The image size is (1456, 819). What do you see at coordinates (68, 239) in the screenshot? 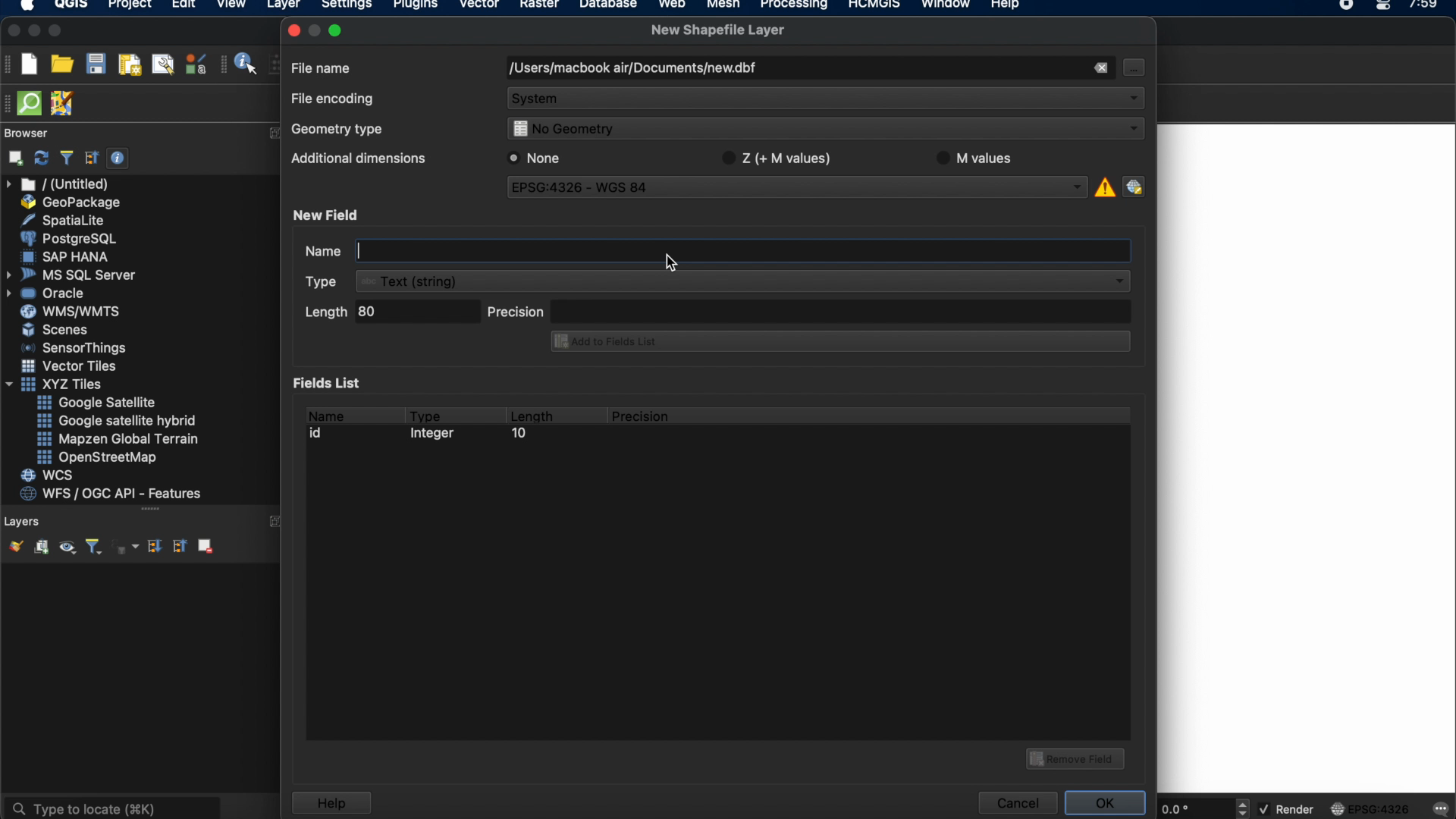
I see `postgresql` at bounding box center [68, 239].